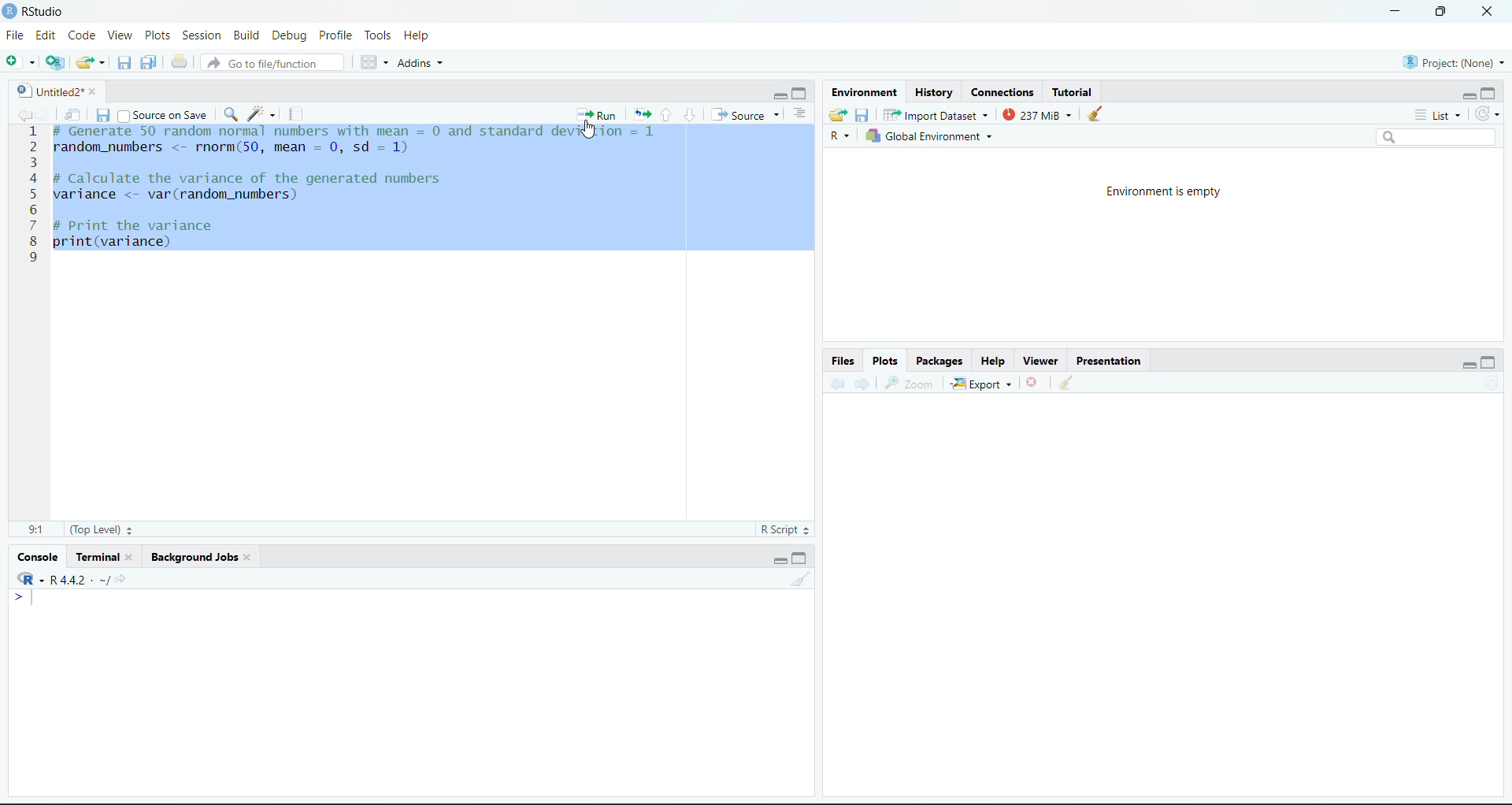 This screenshot has width=1512, height=805. What do you see at coordinates (1439, 116) in the screenshot?
I see `List` at bounding box center [1439, 116].